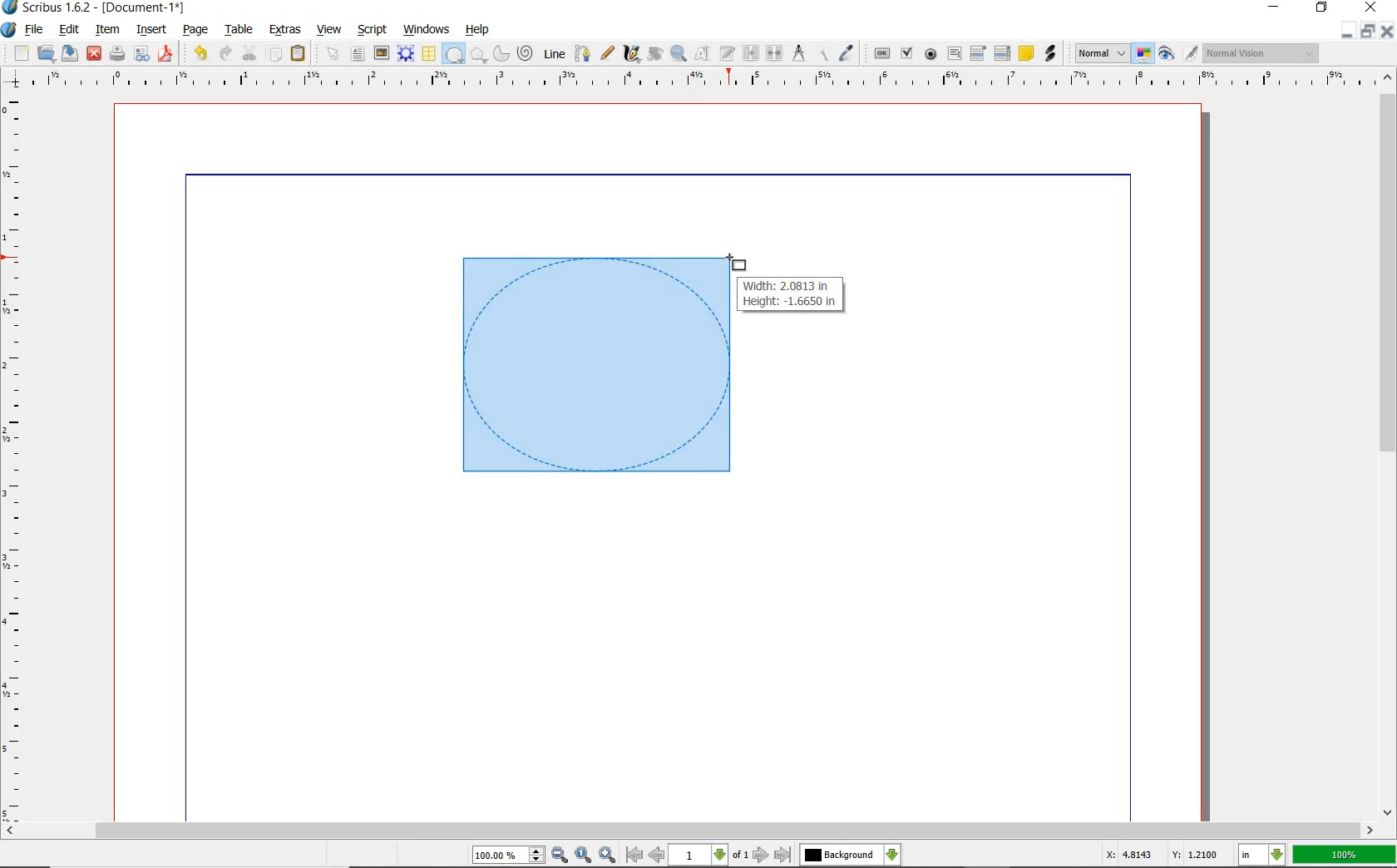 This screenshot has height=868, width=1397. Describe the element at coordinates (560, 856) in the screenshot. I see `zoom in` at that location.